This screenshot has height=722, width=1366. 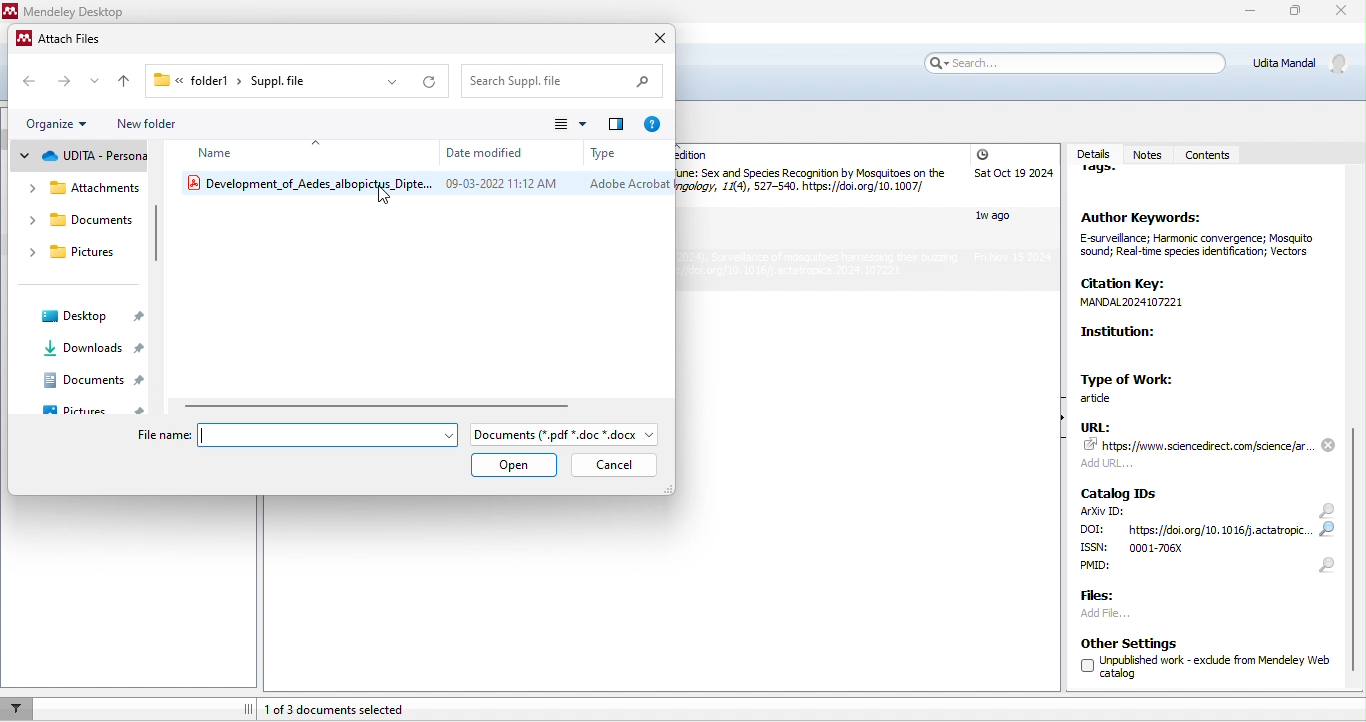 I want to click on change view, so click(x=569, y=124).